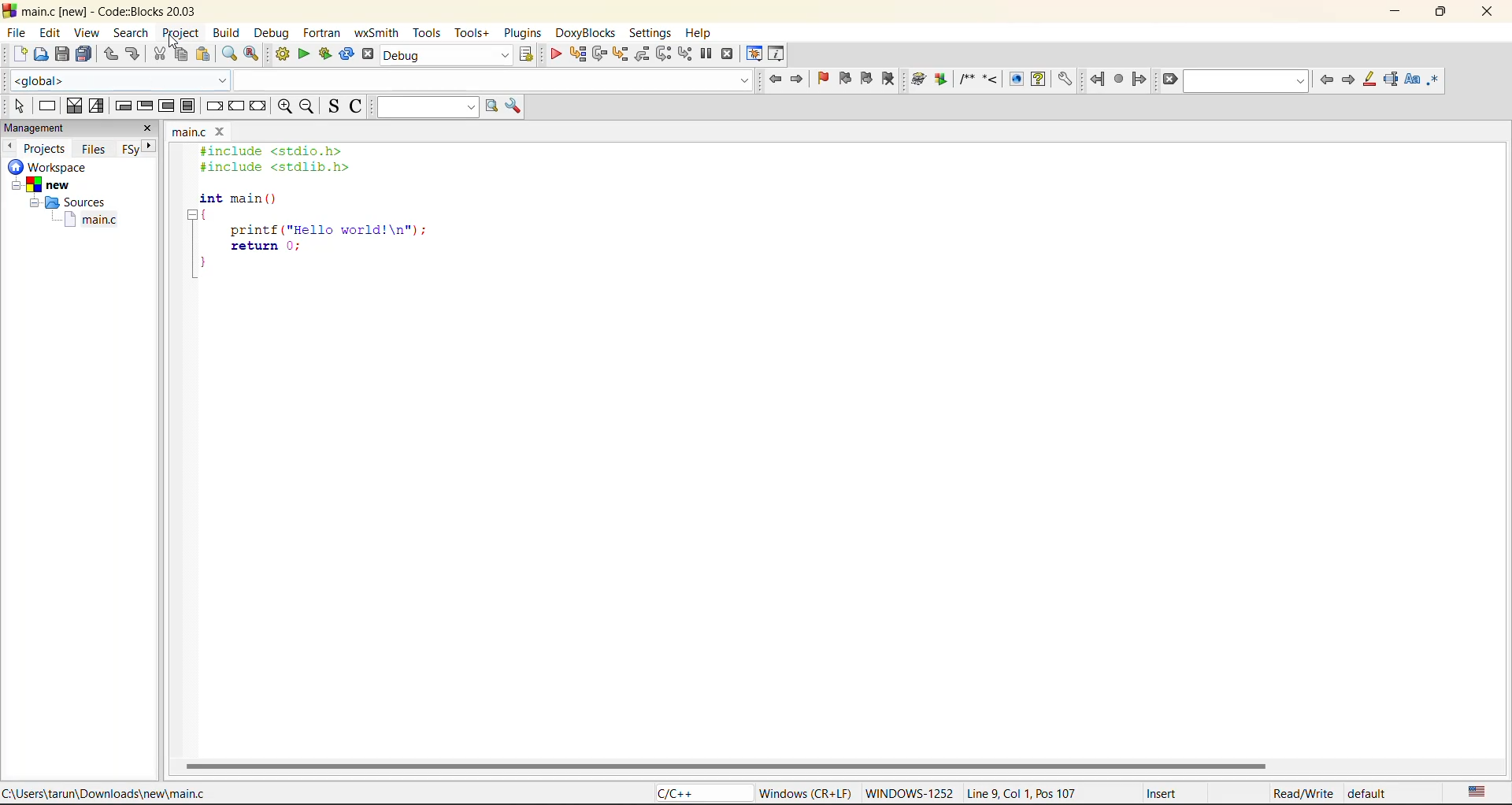  I want to click on copy, so click(182, 54).